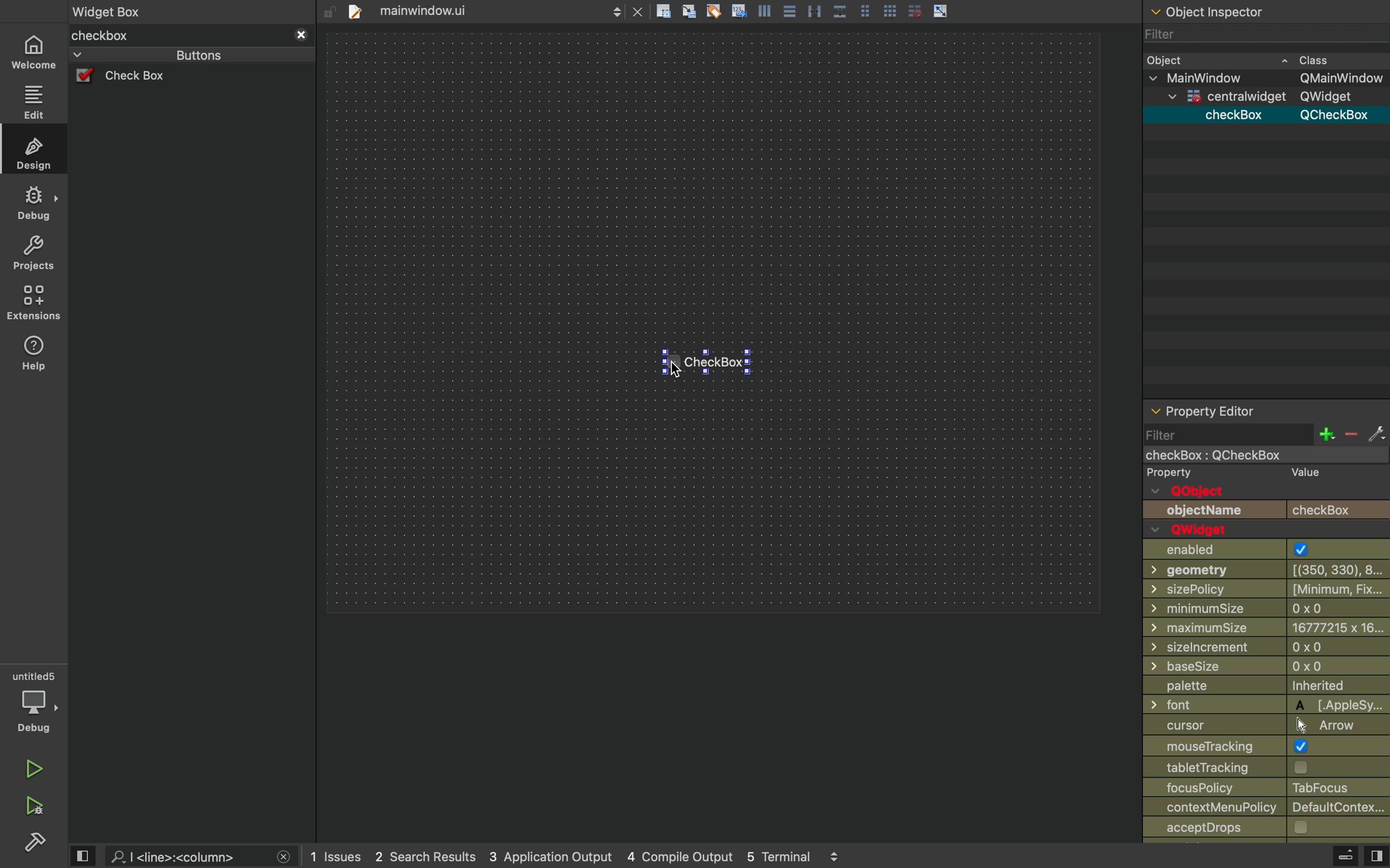  What do you see at coordinates (1269, 808) in the screenshot?
I see `context menu place` at bounding box center [1269, 808].